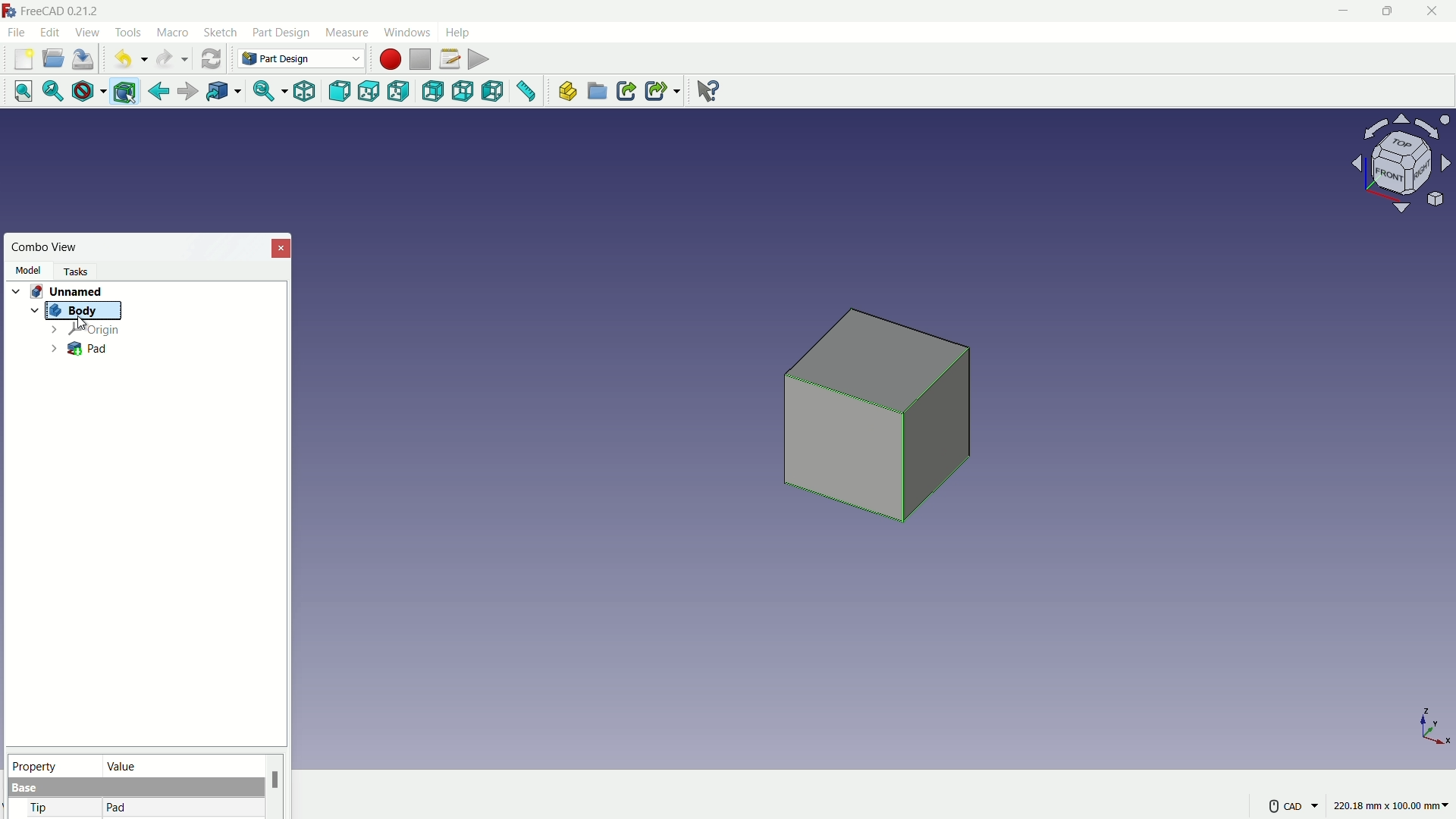 This screenshot has height=819, width=1456. Describe the element at coordinates (460, 31) in the screenshot. I see `help` at that location.